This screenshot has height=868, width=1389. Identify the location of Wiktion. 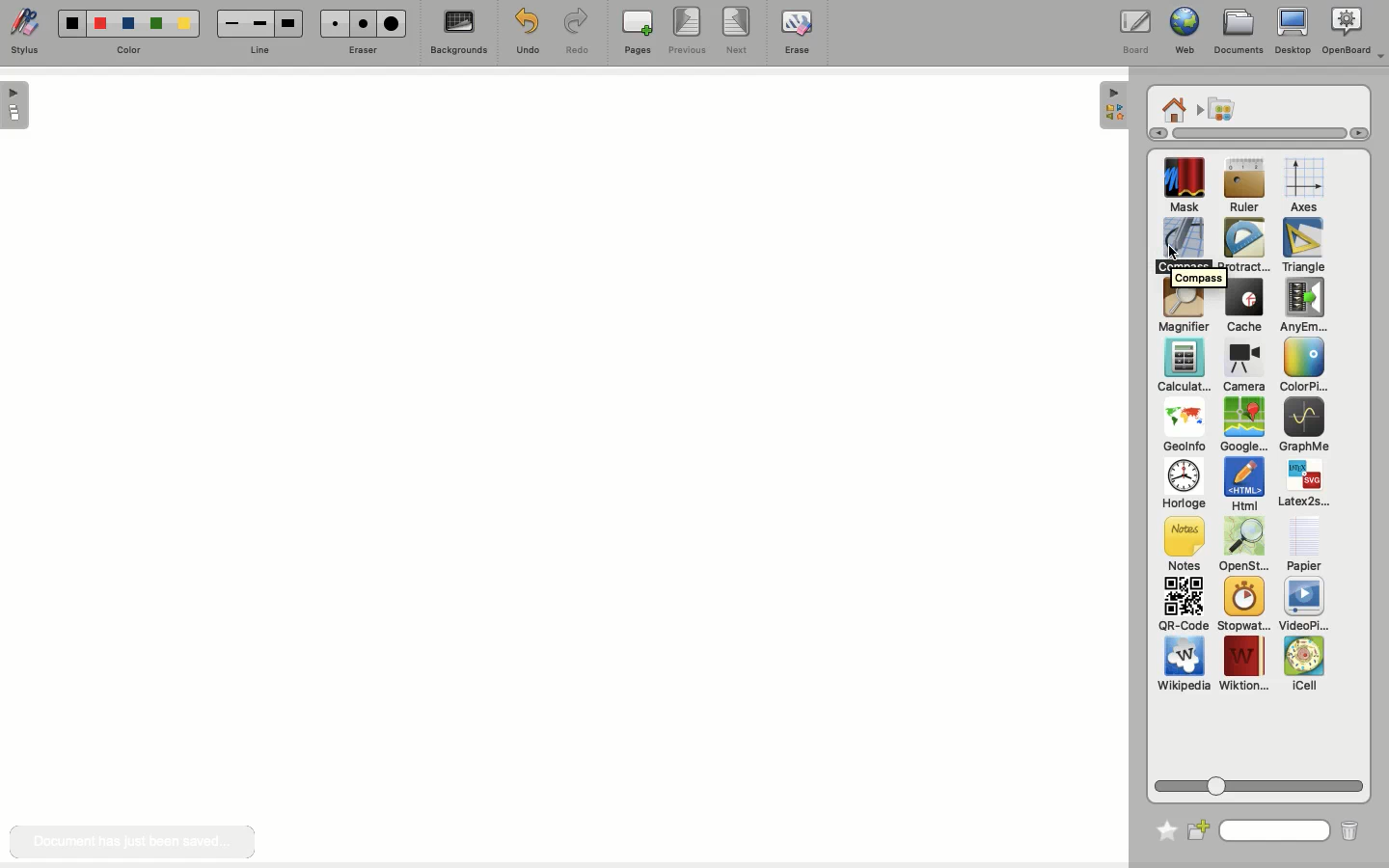
(1244, 665).